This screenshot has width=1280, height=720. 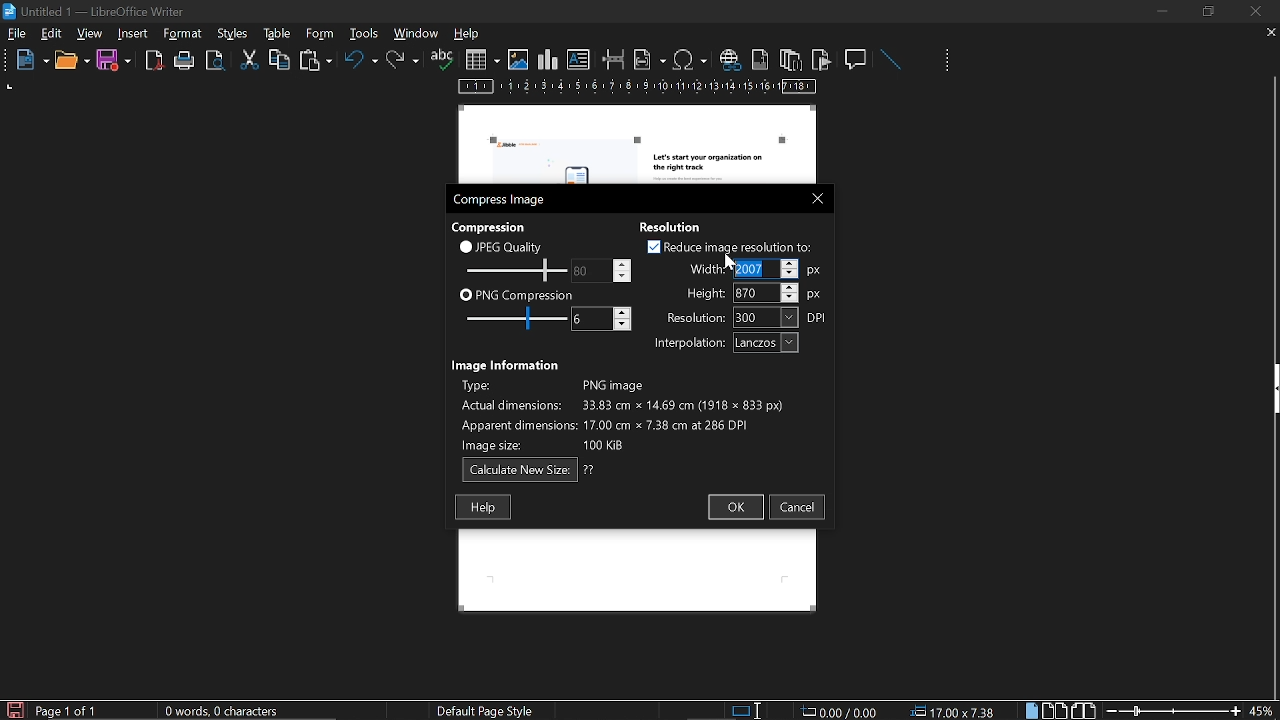 I want to click on height, so click(x=754, y=292).